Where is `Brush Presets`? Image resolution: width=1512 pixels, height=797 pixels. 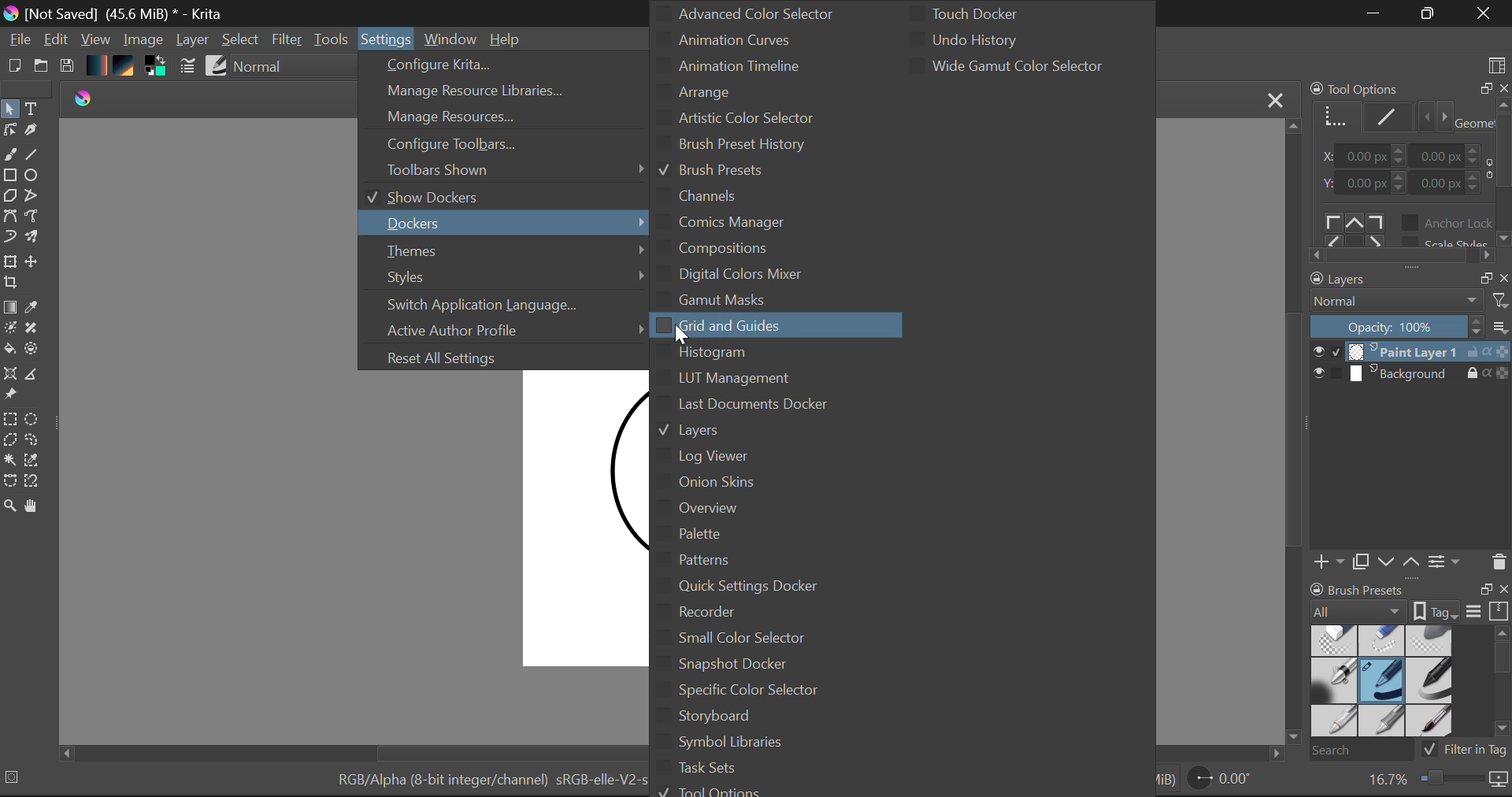
Brush Presets is located at coordinates (1384, 683).